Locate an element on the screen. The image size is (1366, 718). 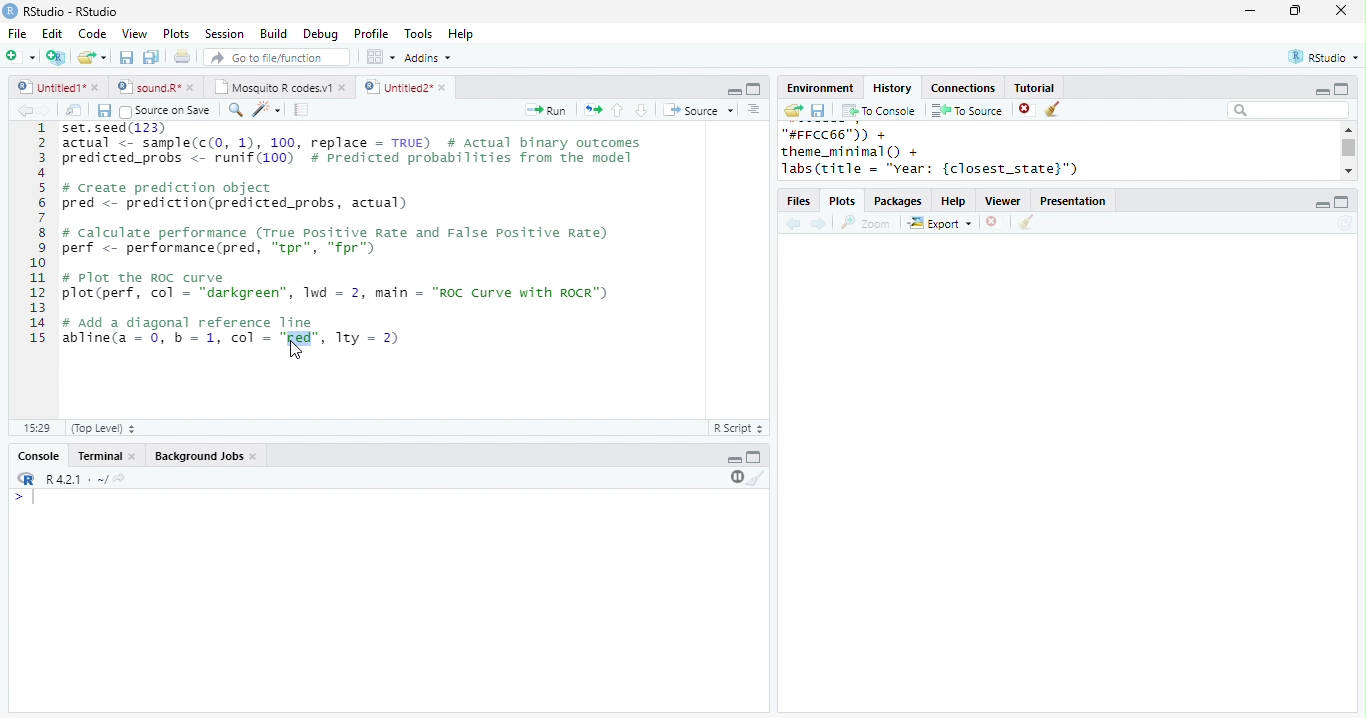
# Plot the ROC curveplot(perf, col - "darkgreen”, 1wd = 2, main = "ROC Curve with ROCR") is located at coordinates (338, 287).